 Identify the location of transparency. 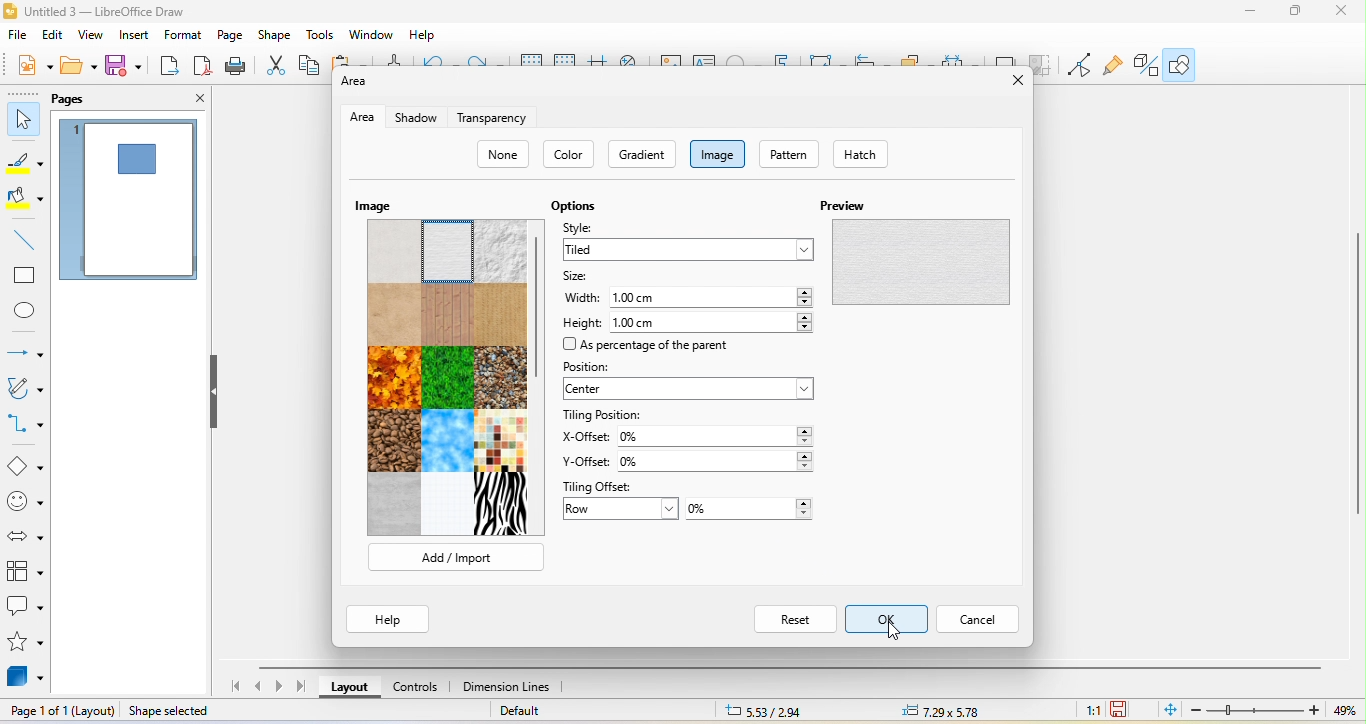
(504, 118).